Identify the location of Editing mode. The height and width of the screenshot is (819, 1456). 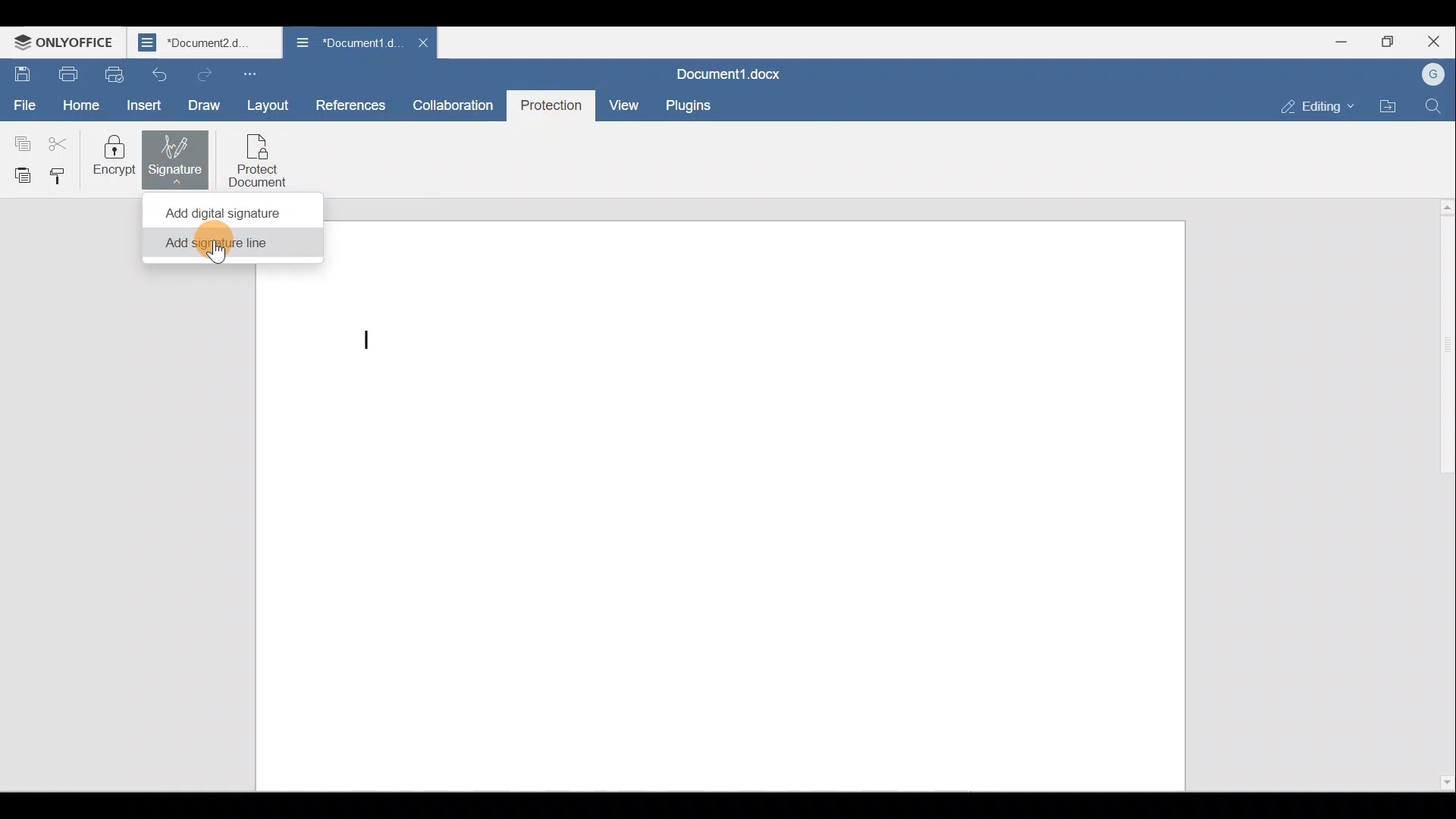
(1320, 106).